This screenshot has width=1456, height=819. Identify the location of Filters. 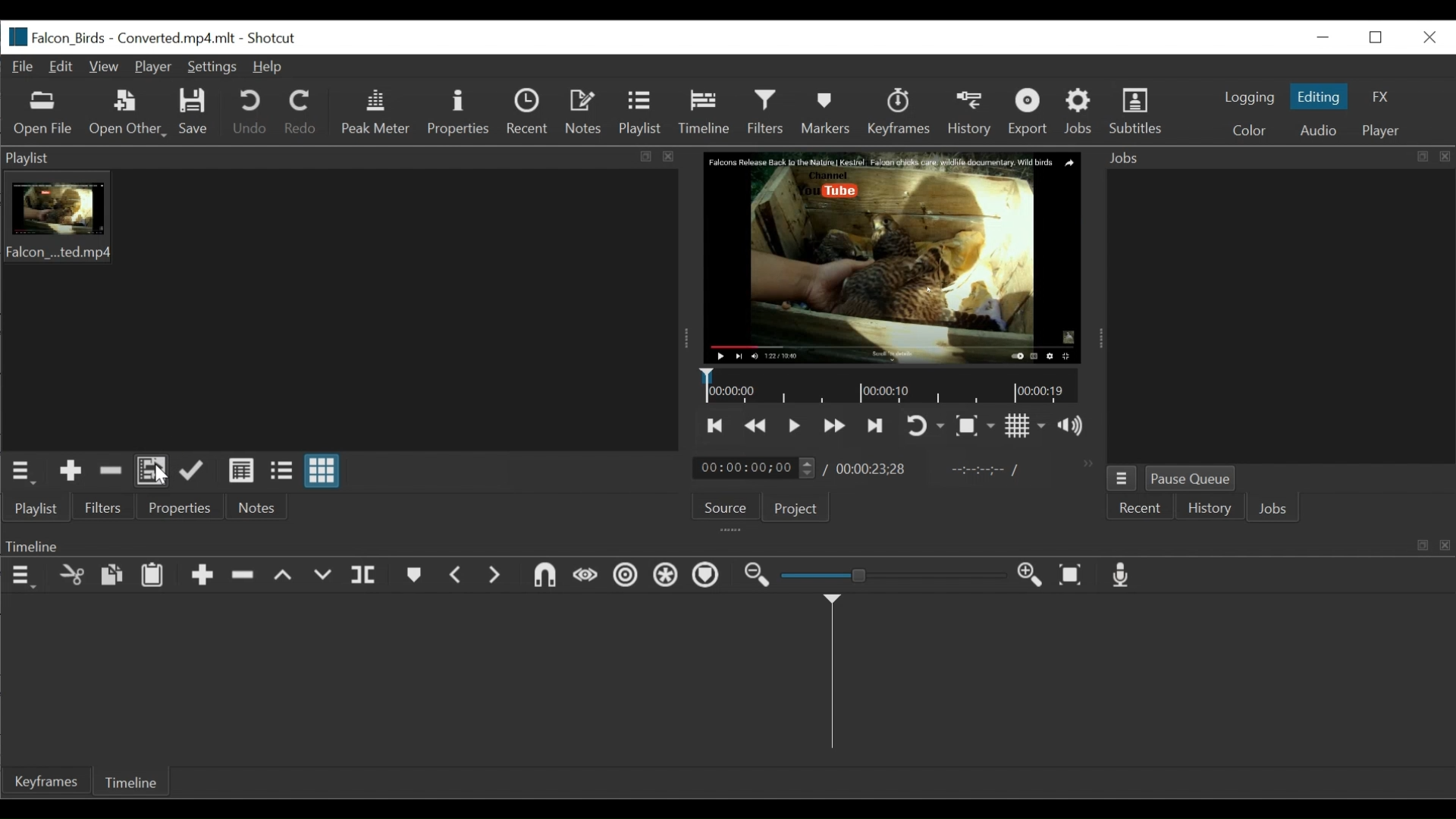
(767, 111).